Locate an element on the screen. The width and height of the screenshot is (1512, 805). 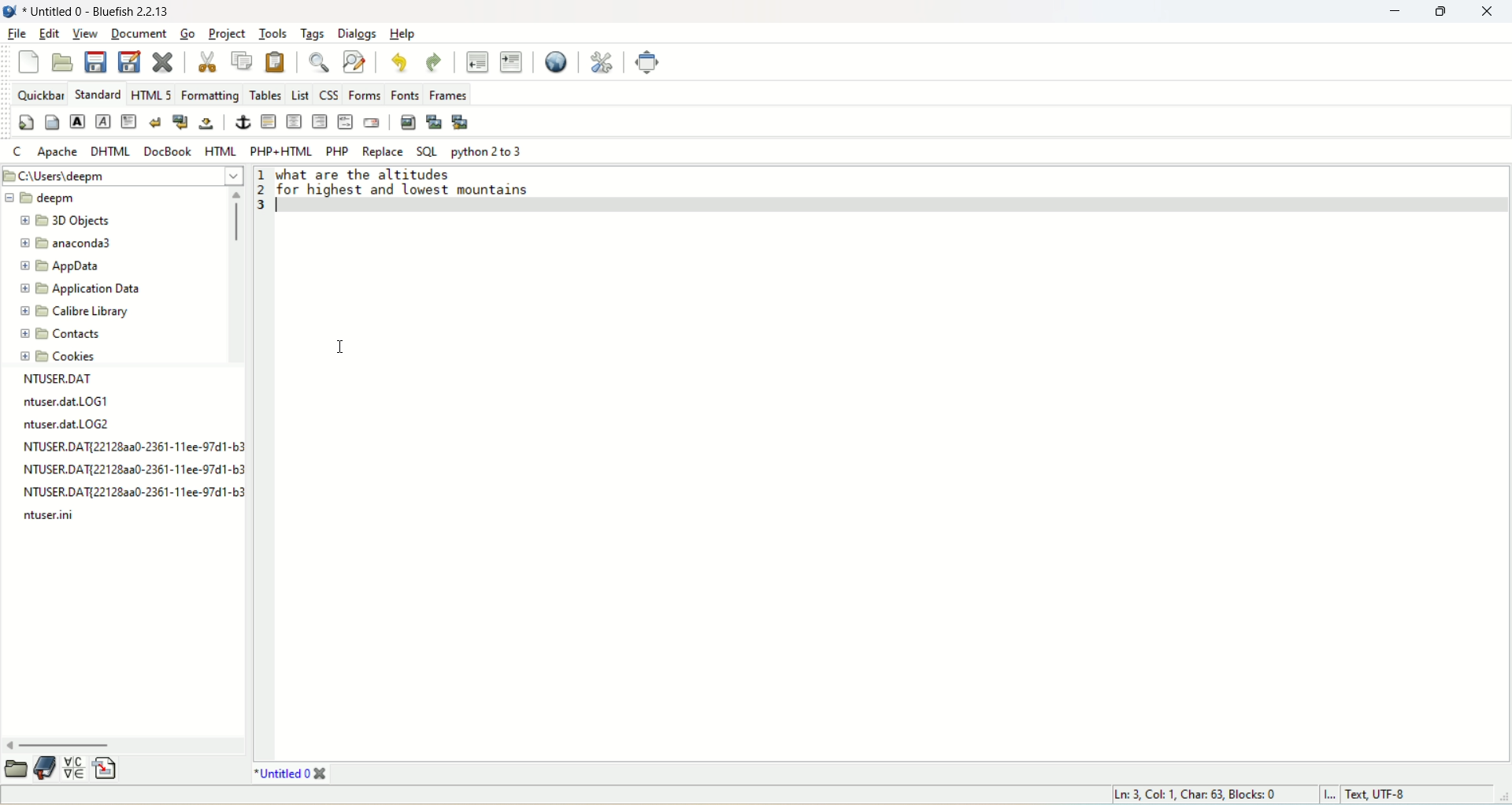
replace is located at coordinates (384, 152).